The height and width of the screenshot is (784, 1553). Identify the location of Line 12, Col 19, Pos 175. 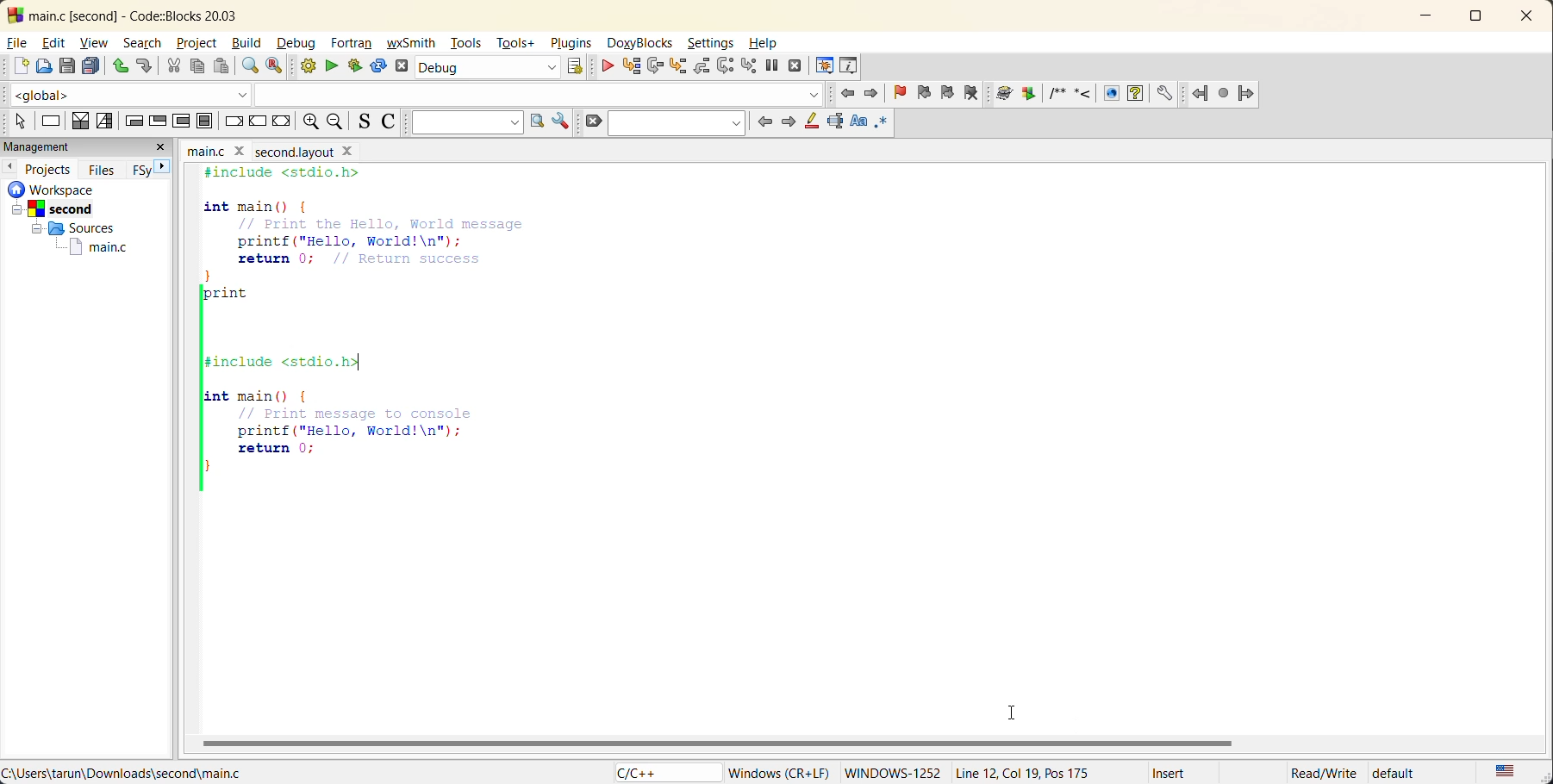
(1029, 769).